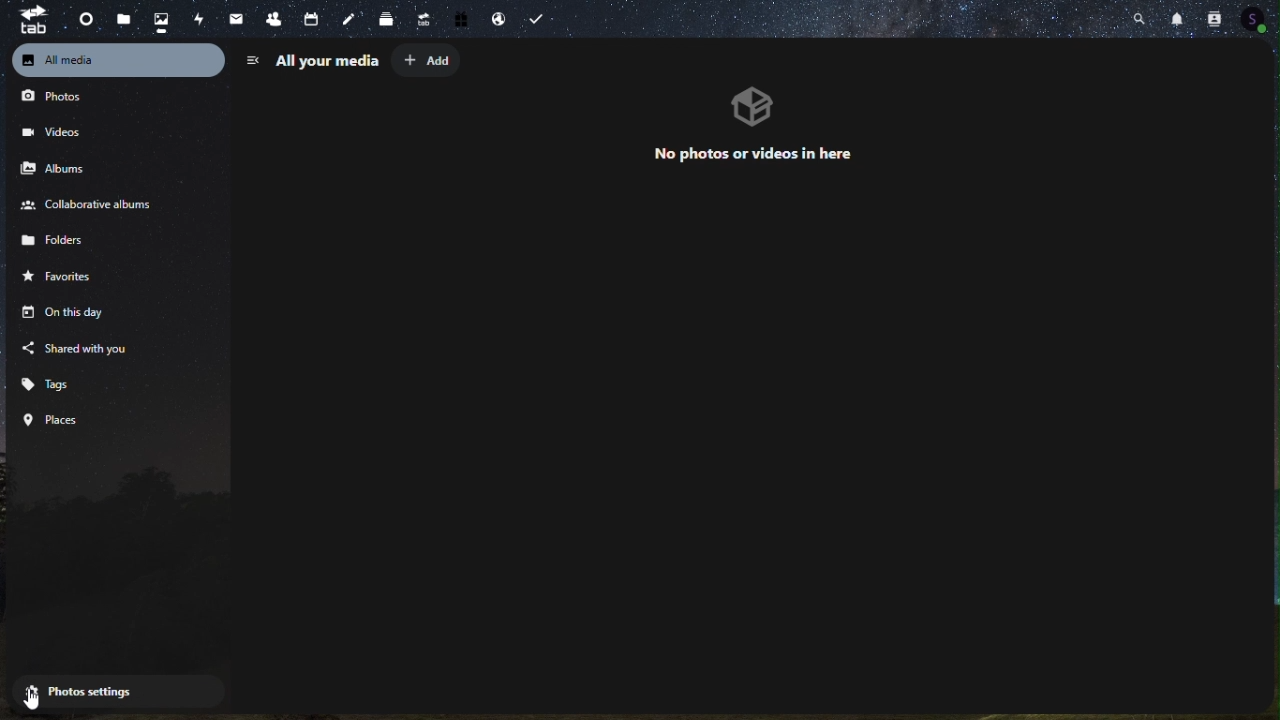 The width and height of the screenshot is (1280, 720). I want to click on free trial, so click(463, 19).